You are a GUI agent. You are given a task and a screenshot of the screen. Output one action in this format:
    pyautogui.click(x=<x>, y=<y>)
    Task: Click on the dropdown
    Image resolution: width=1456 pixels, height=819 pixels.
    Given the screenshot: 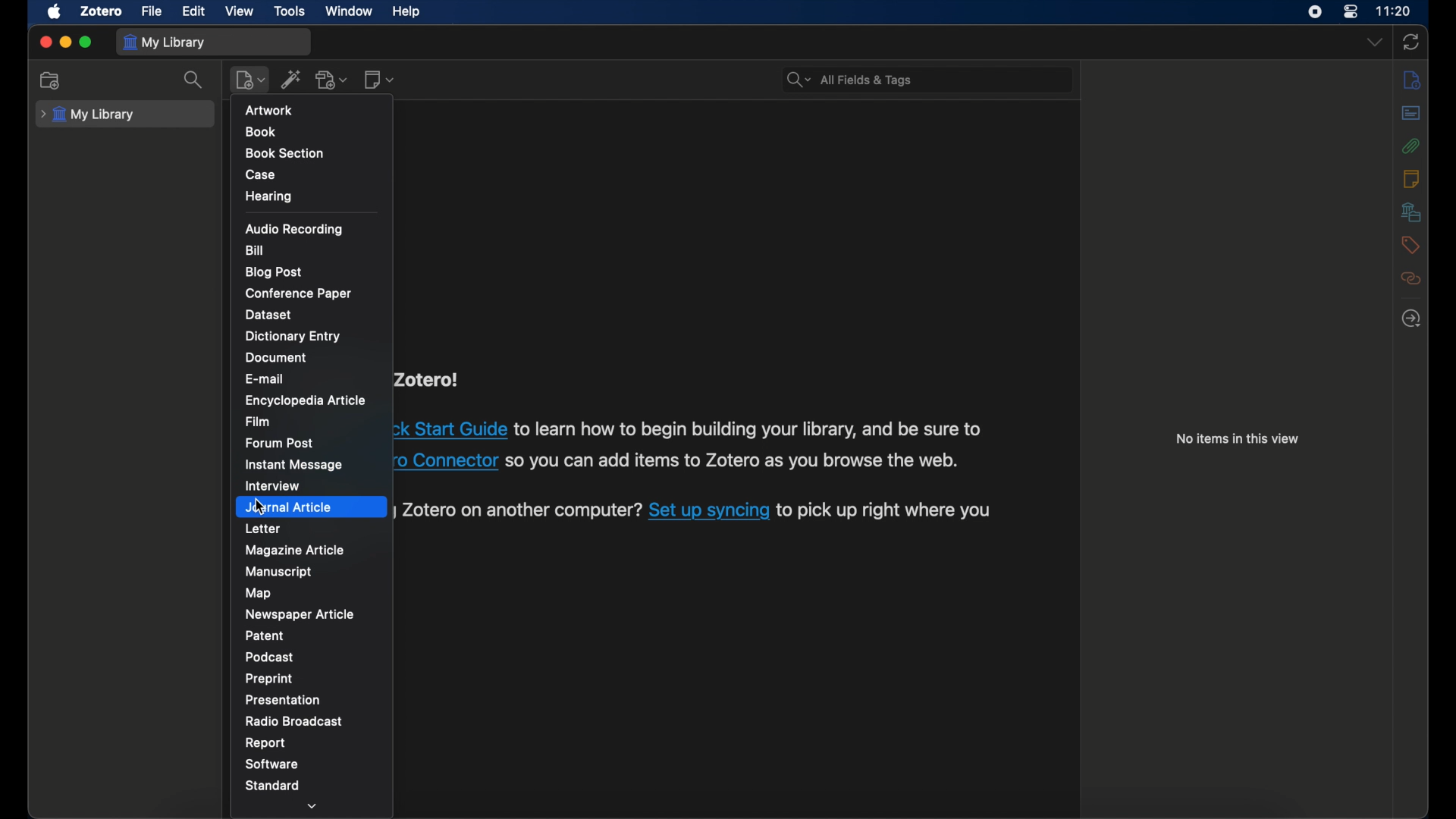 What is the action you would take?
    pyautogui.click(x=314, y=805)
    